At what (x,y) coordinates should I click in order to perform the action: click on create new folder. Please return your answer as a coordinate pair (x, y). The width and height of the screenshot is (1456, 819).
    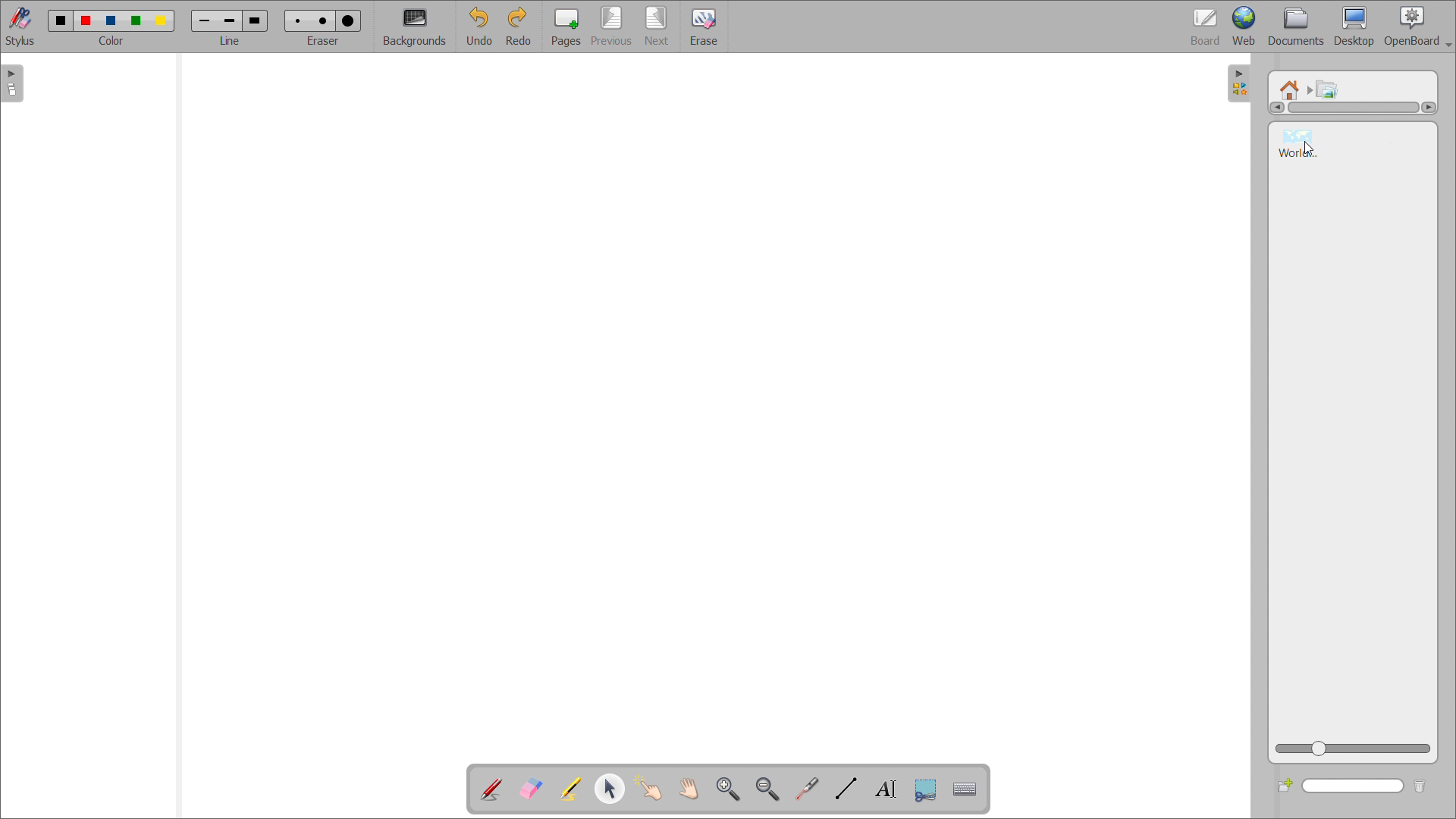
    Looking at the image, I should click on (1285, 785).